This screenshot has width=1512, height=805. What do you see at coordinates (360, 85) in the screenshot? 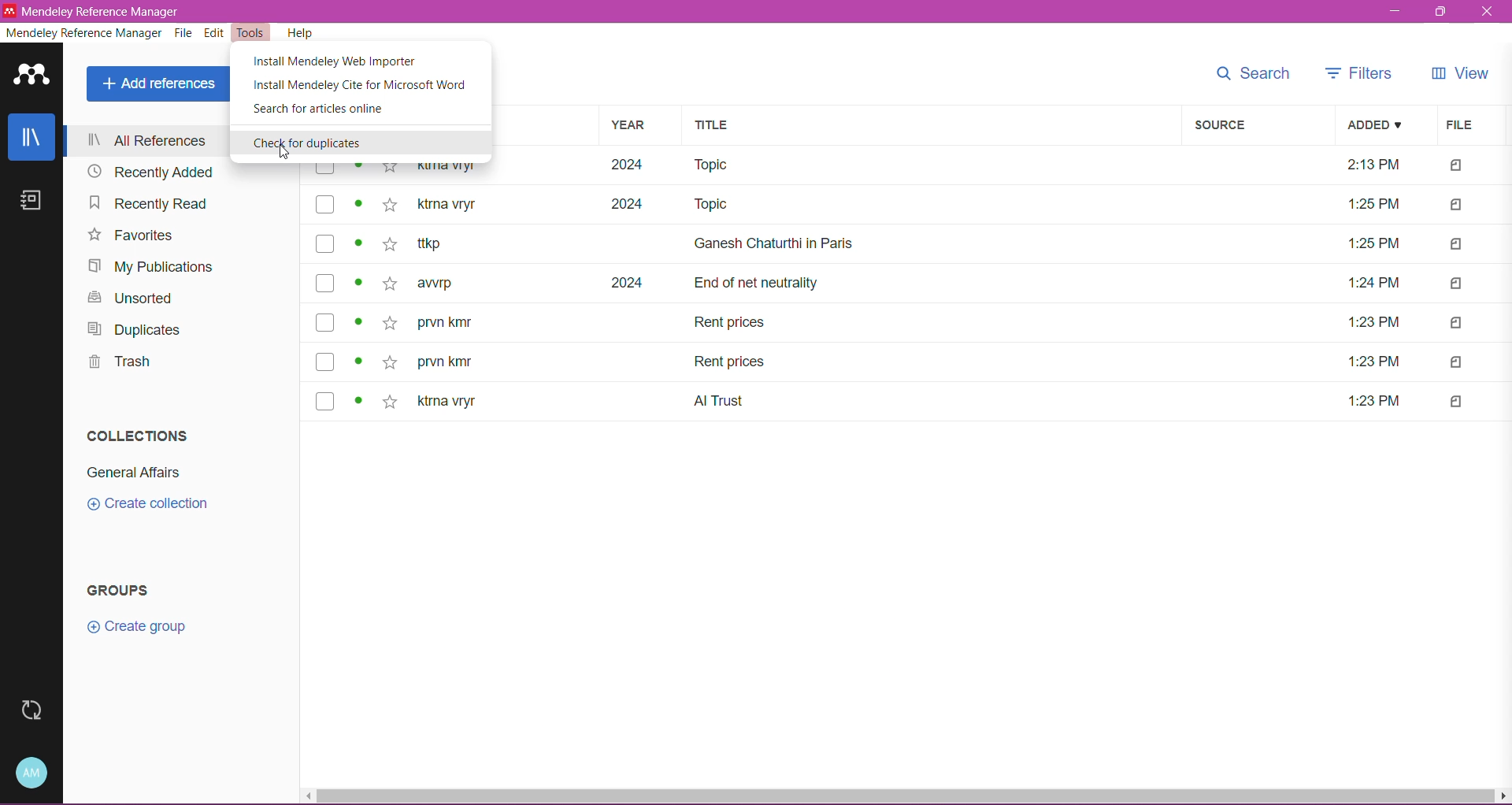
I see `Install Mendeley Cite for Microsoft Word` at bounding box center [360, 85].